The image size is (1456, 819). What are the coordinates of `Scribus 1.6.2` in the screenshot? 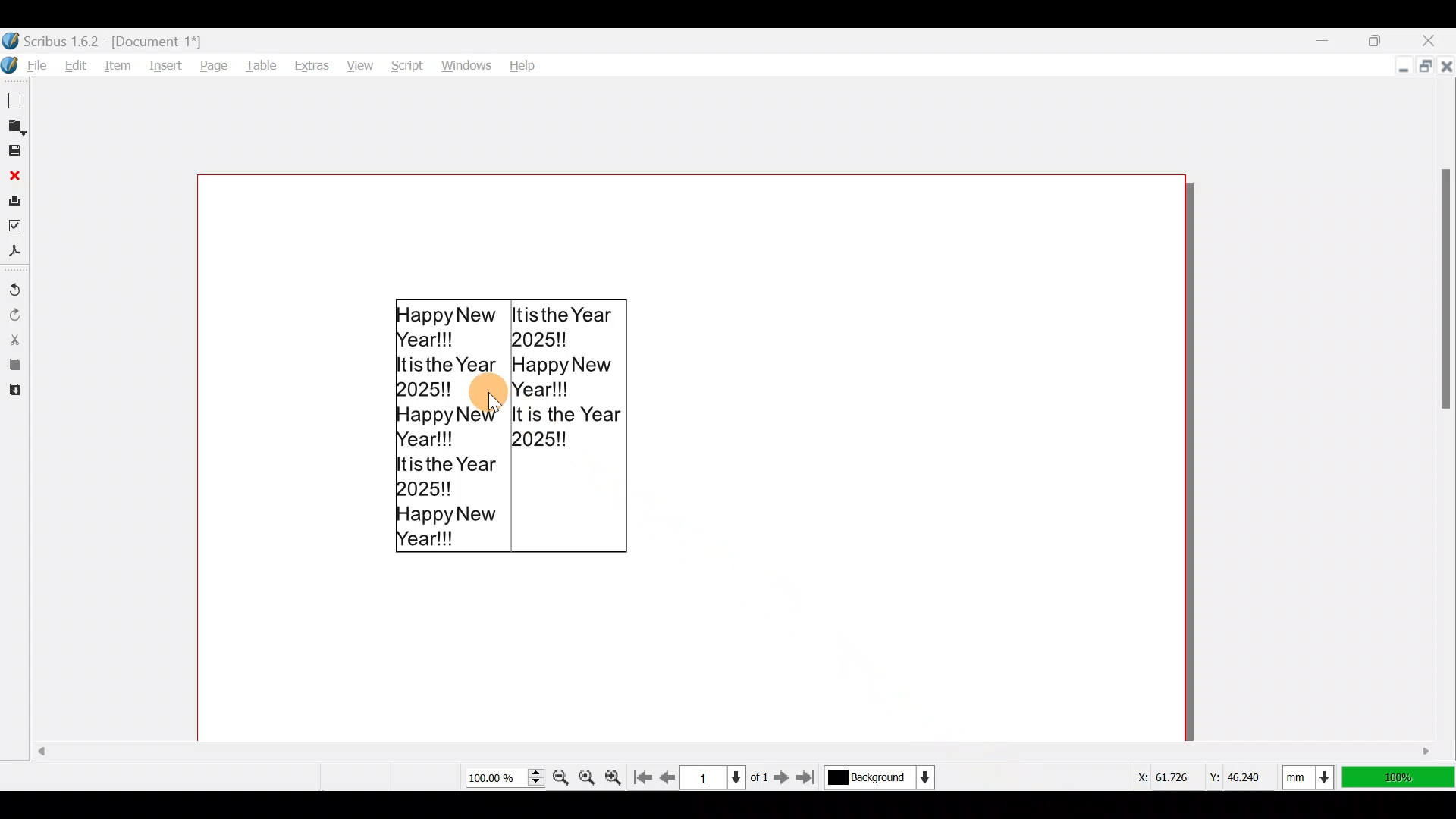 It's located at (105, 39).